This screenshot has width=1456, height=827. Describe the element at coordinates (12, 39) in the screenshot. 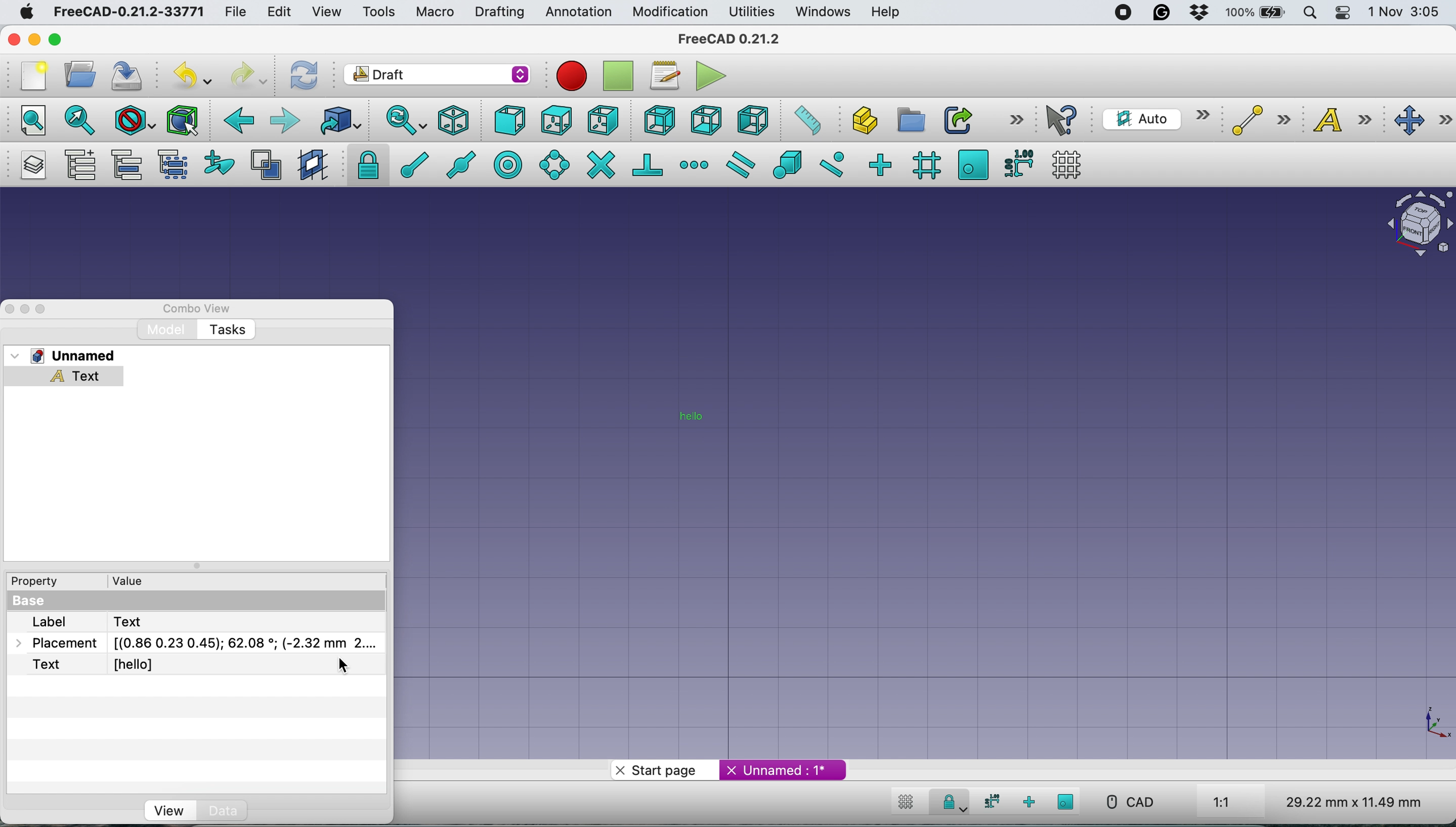

I see `close` at that location.